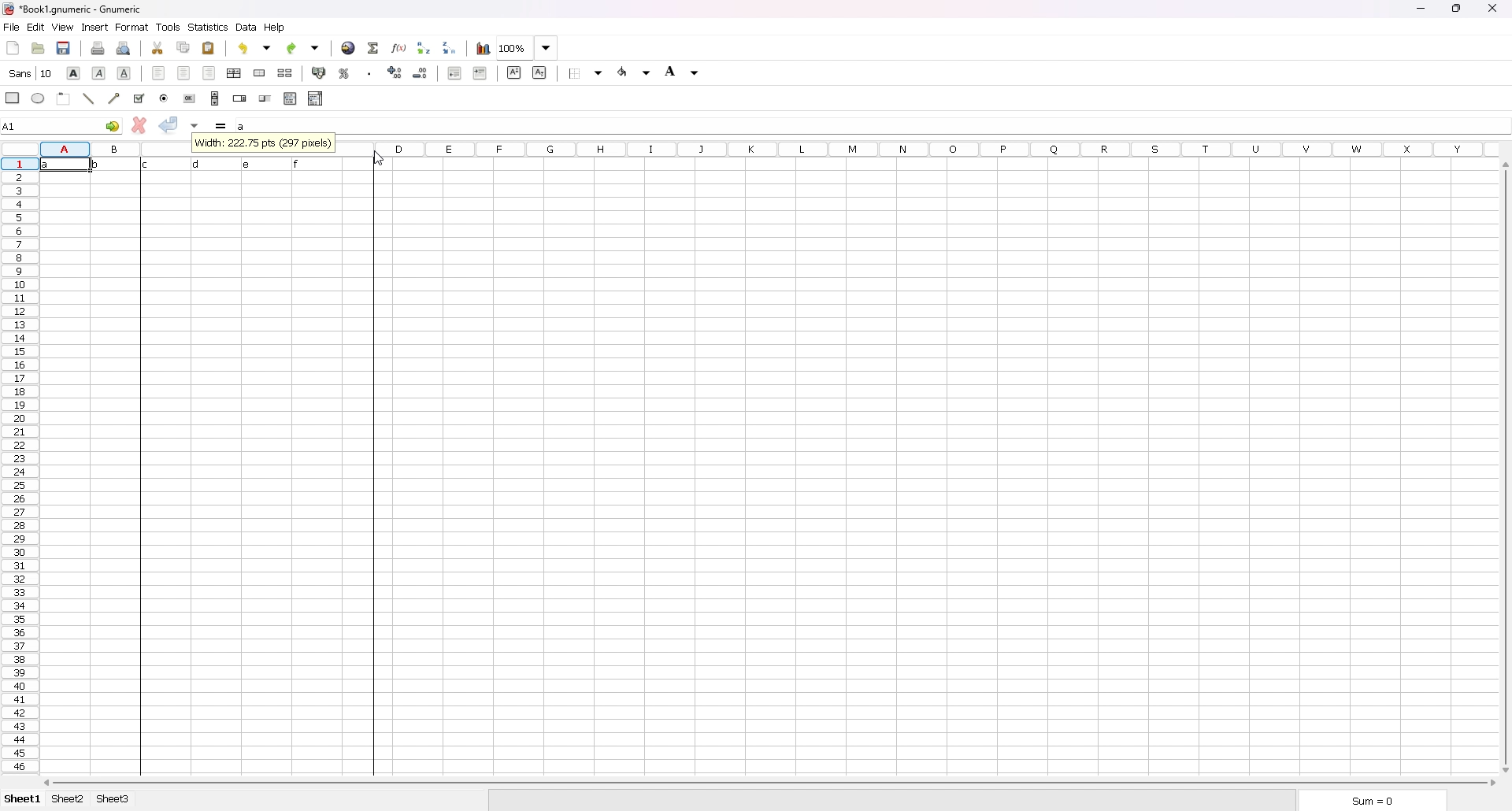 This screenshot has height=811, width=1512. What do you see at coordinates (261, 72) in the screenshot?
I see `merge cells` at bounding box center [261, 72].